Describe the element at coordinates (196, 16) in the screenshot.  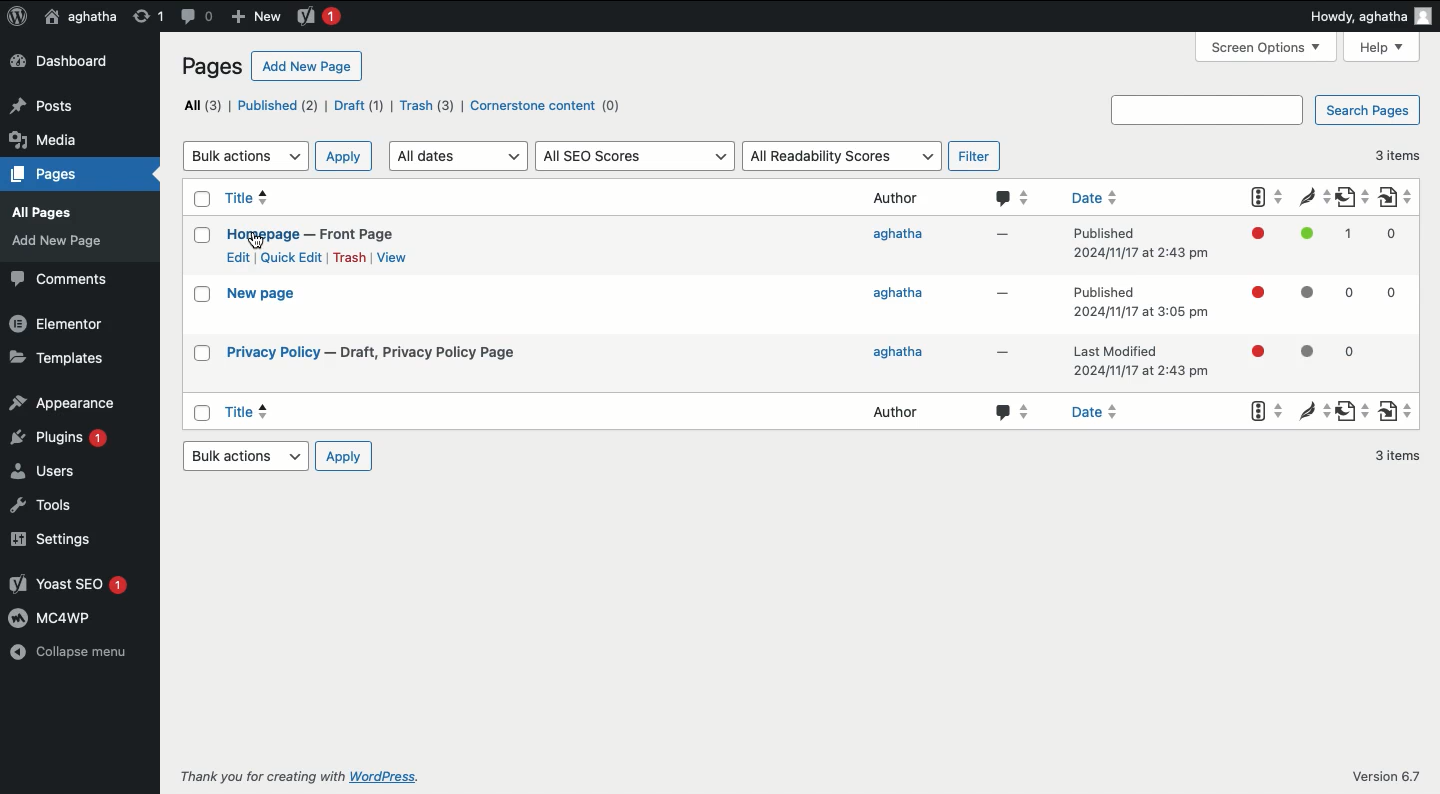
I see `Comment` at that location.